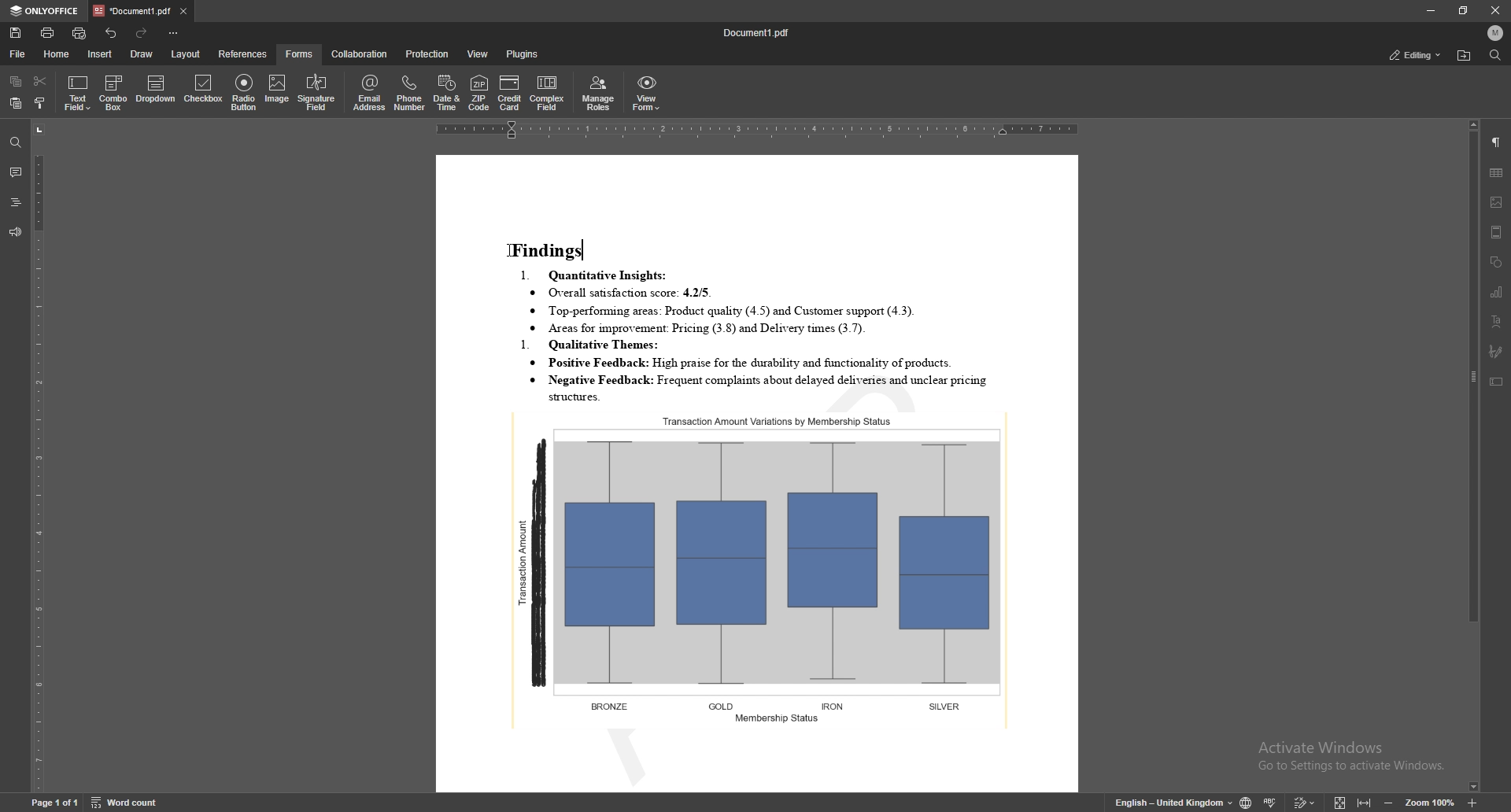  What do you see at coordinates (599, 94) in the screenshot?
I see `manage roles` at bounding box center [599, 94].